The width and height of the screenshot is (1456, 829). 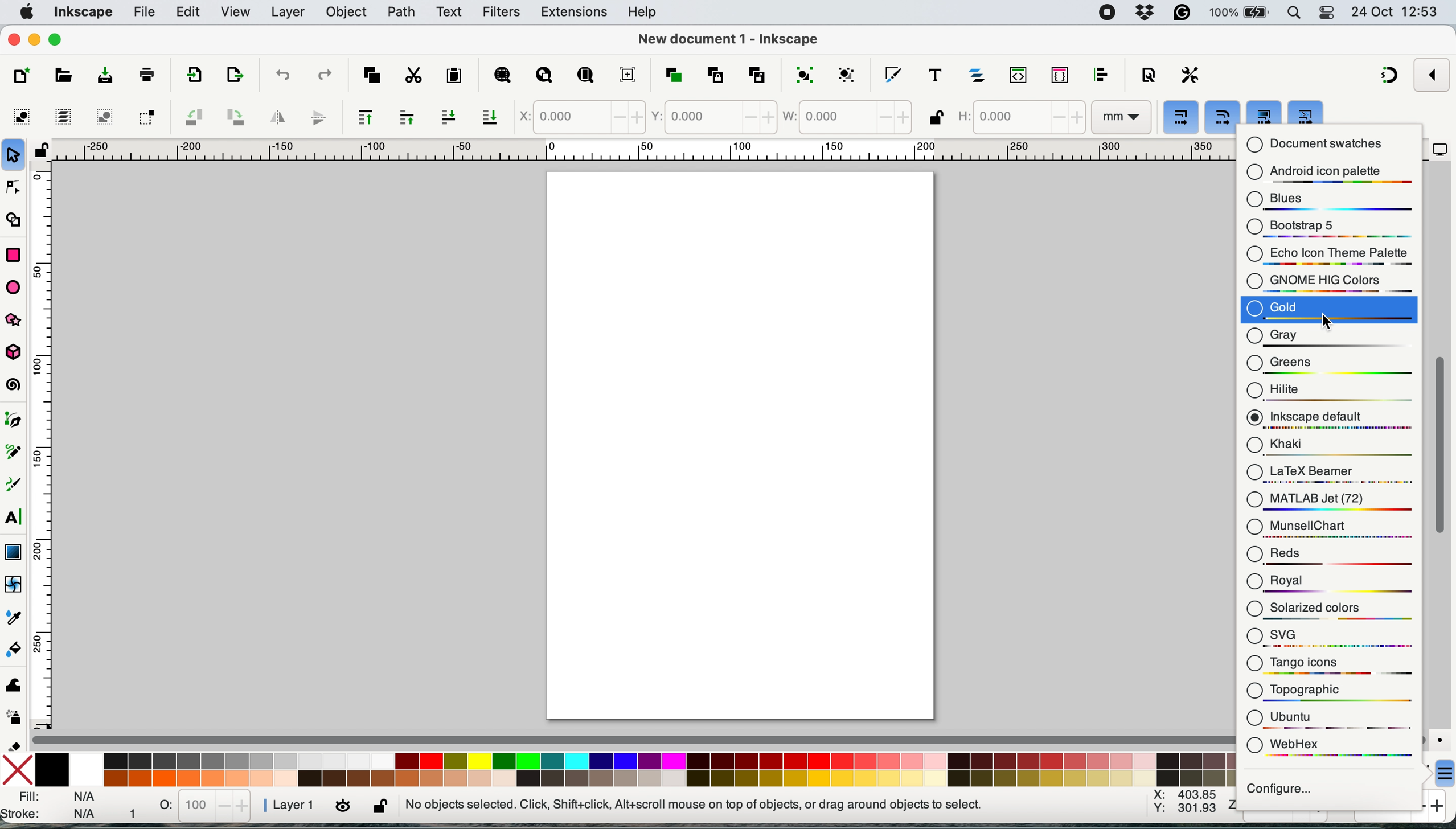 I want to click on matlab jet, so click(x=1328, y=501).